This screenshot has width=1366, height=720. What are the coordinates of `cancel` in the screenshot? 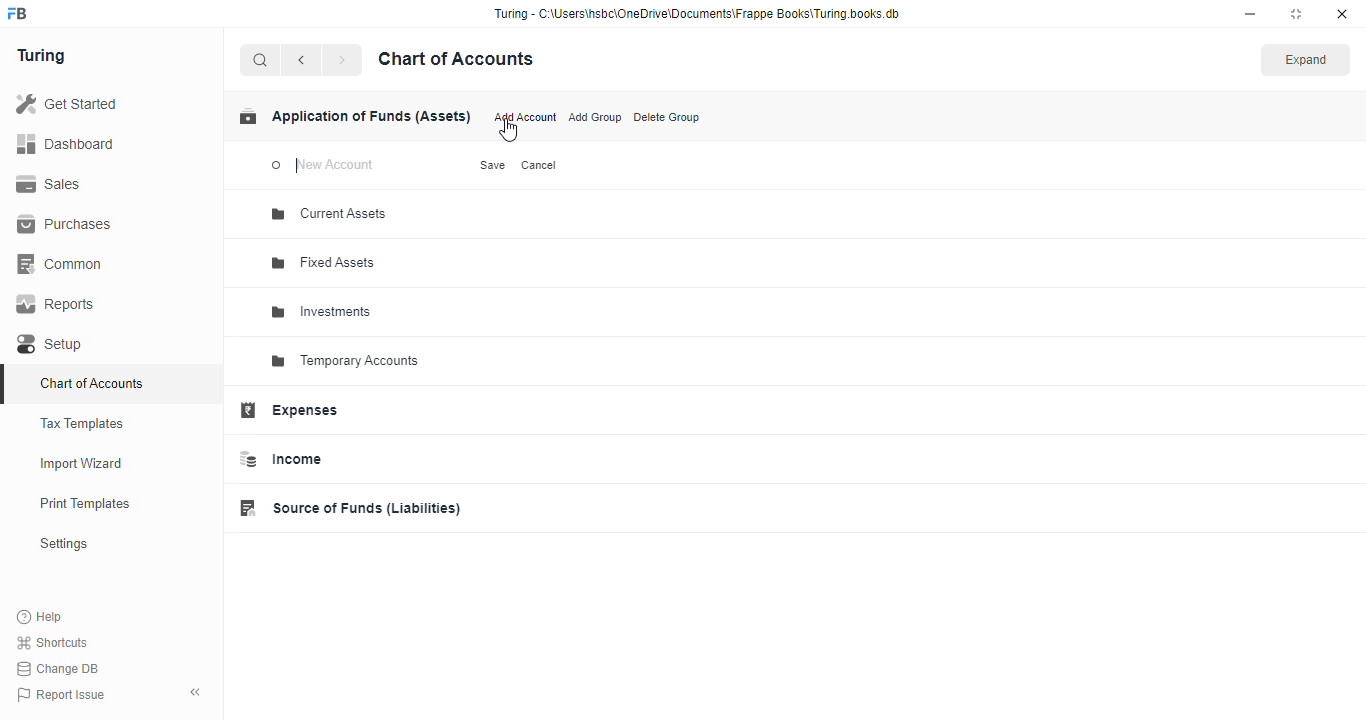 It's located at (539, 166).